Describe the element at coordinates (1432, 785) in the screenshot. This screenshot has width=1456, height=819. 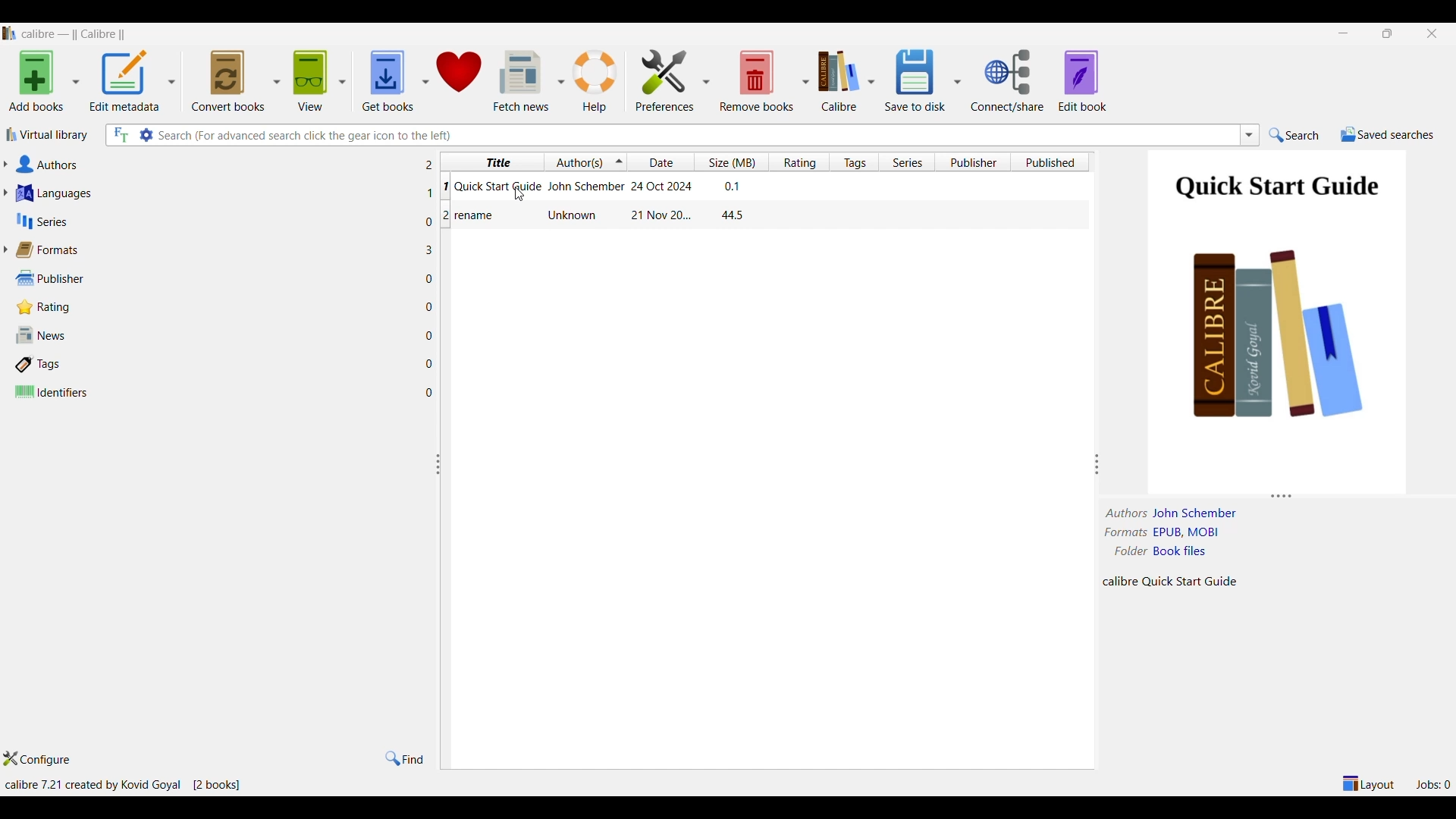
I see `Jobs` at that location.